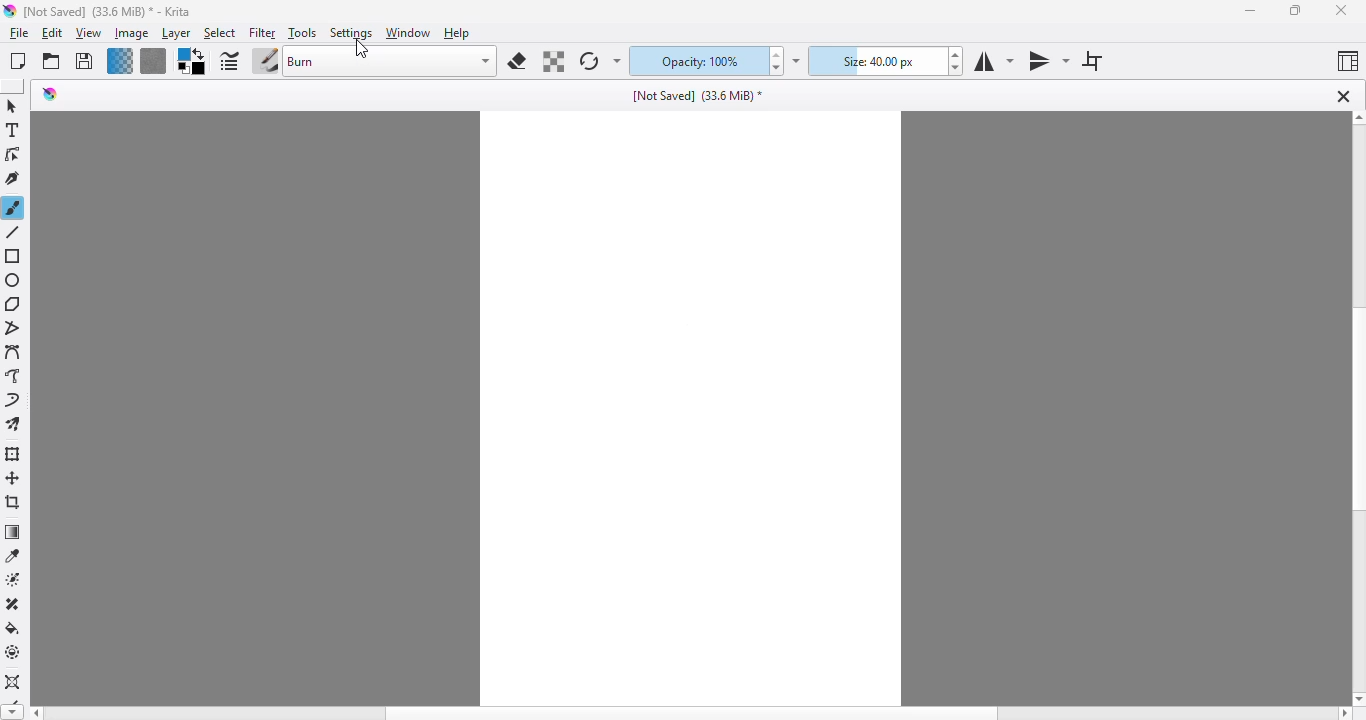 The height and width of the screenshot is (720, 1366). I want to click on view, so click(88, 34).